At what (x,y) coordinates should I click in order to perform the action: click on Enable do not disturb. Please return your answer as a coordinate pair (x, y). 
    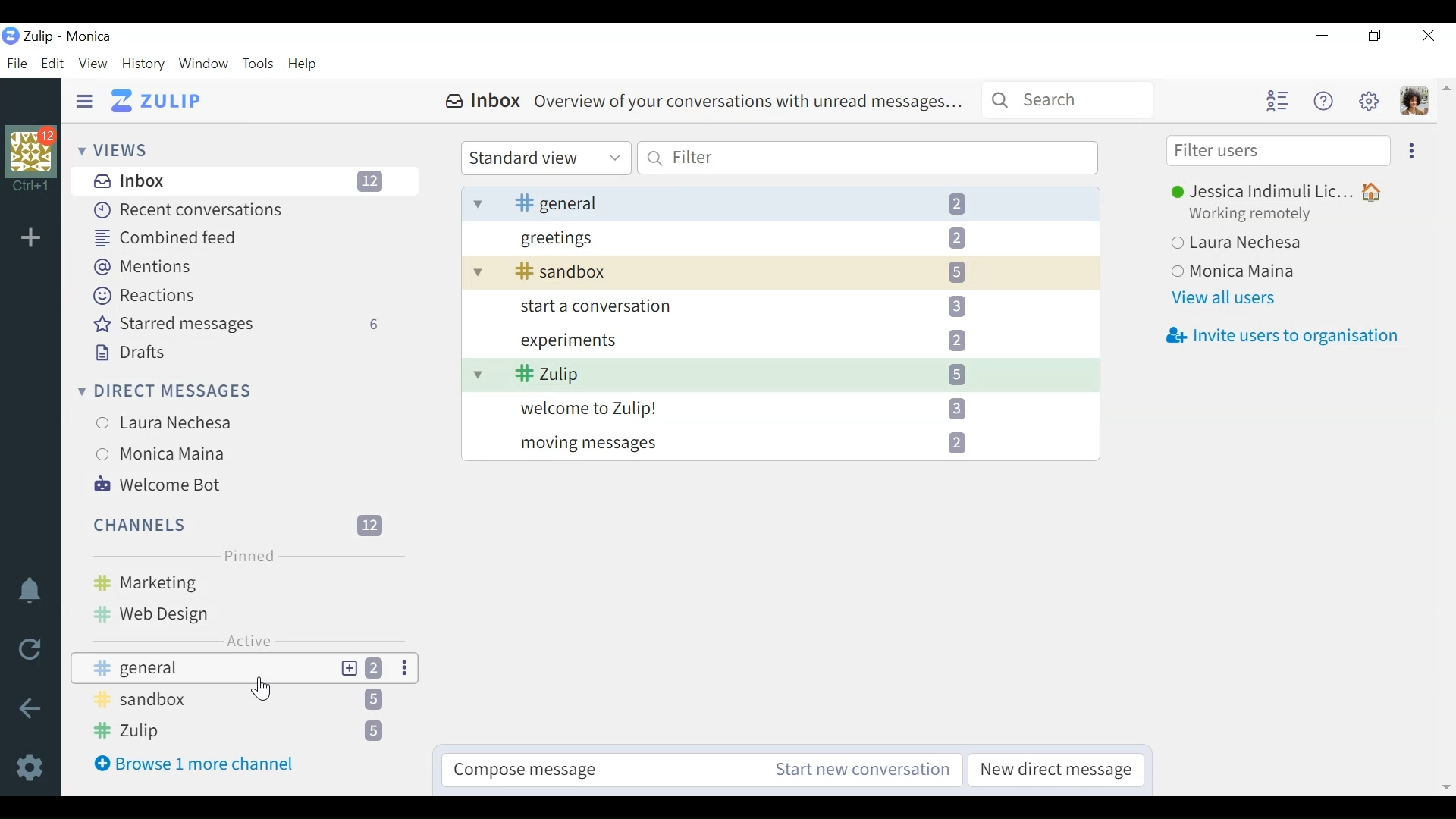
    Looking at the image, I should click on (33, 593).